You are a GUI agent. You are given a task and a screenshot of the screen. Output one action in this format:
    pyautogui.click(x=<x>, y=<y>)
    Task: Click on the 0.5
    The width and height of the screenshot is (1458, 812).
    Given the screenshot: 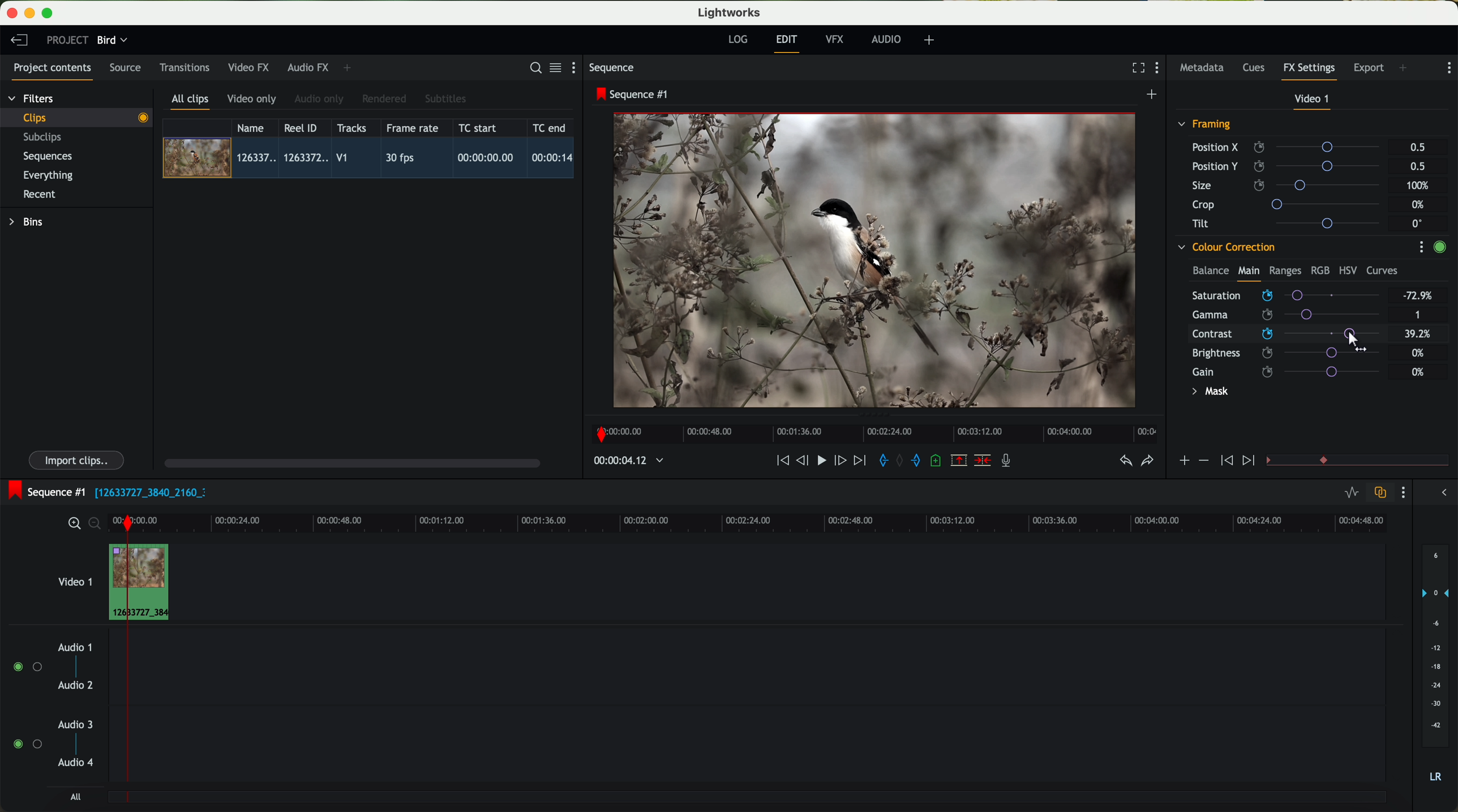 What is the action you would take?
    pyautogui.click(x=1418, y=148)
    